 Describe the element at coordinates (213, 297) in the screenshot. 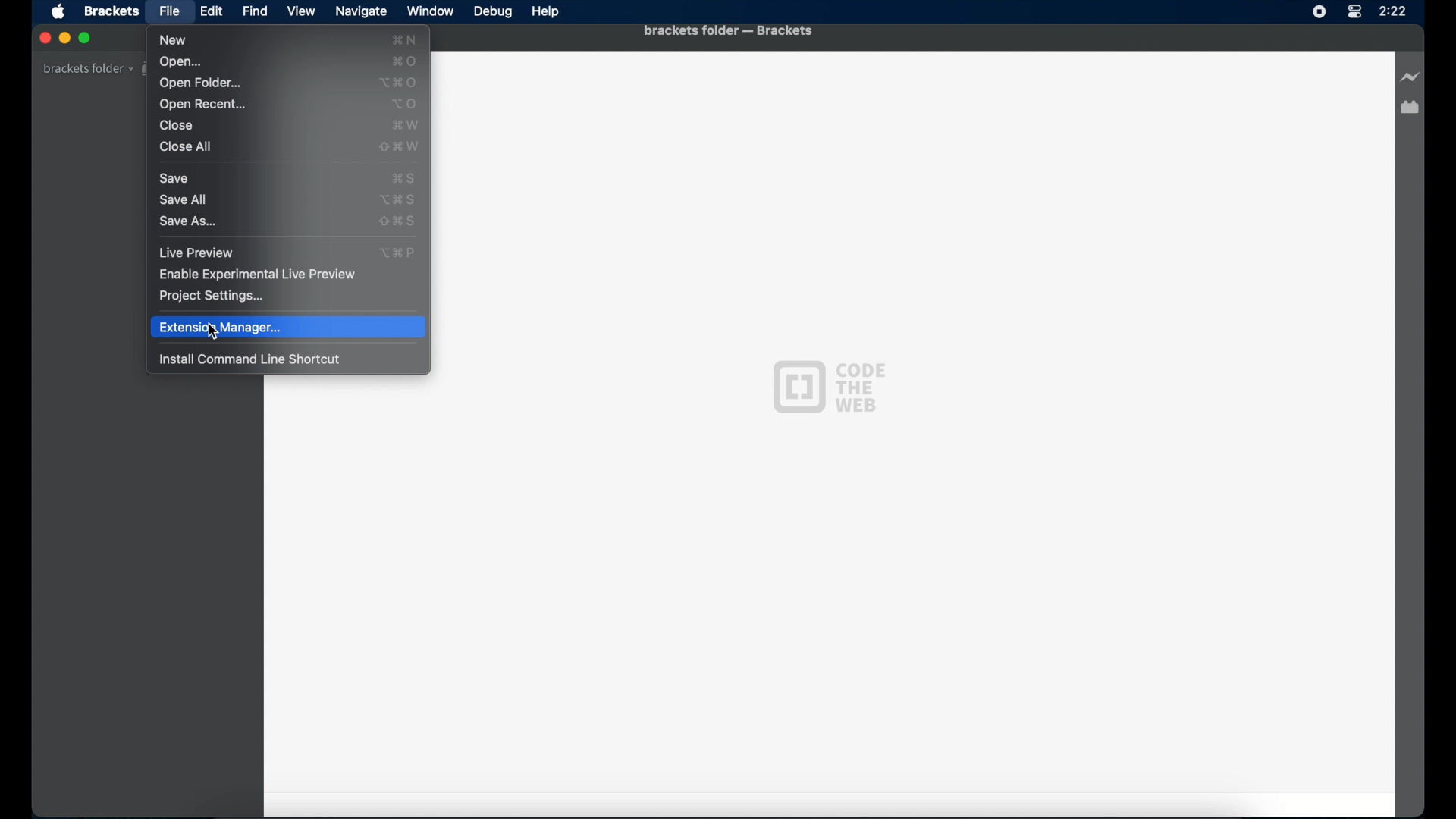

I see `project settings` at that location.